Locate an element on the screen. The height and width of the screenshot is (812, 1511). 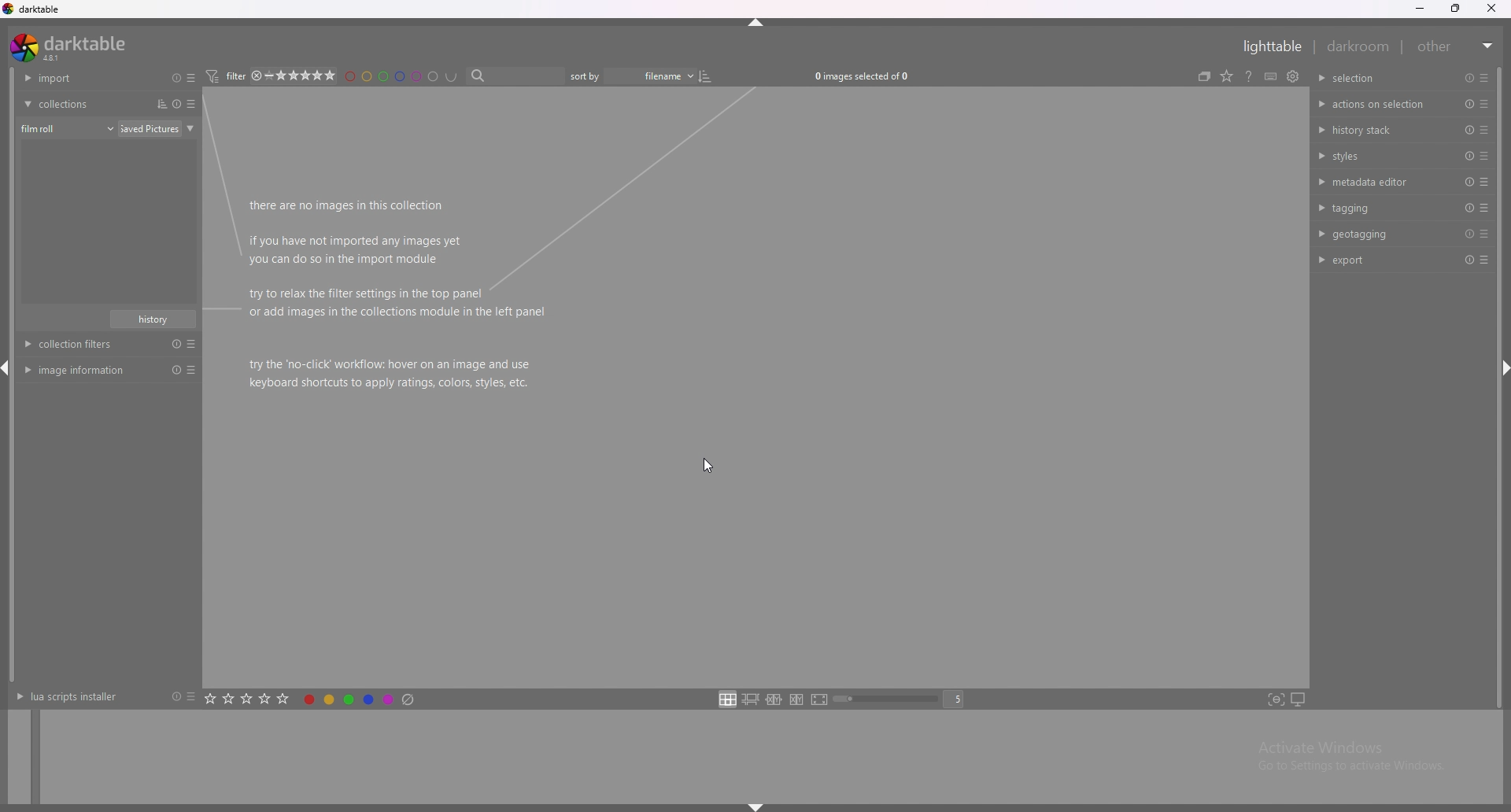
culling layout in dynamic mode is located at coordinates (796, 699).